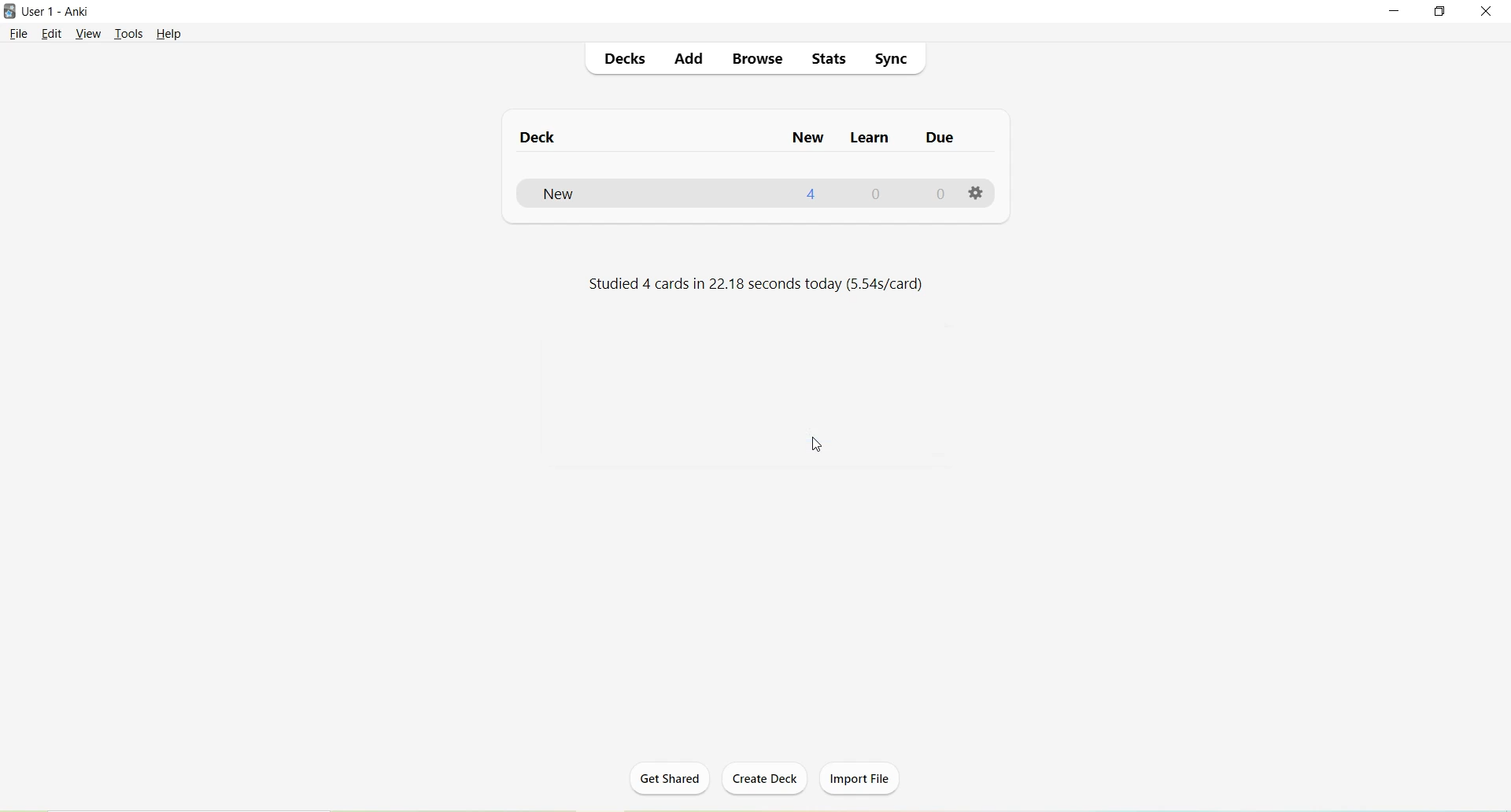 Image resolution: width=1511 pixels, height=812 pixels. Describe the element at coordinates (667, 783) in the screenshot. I see `Get Shared` at that location.